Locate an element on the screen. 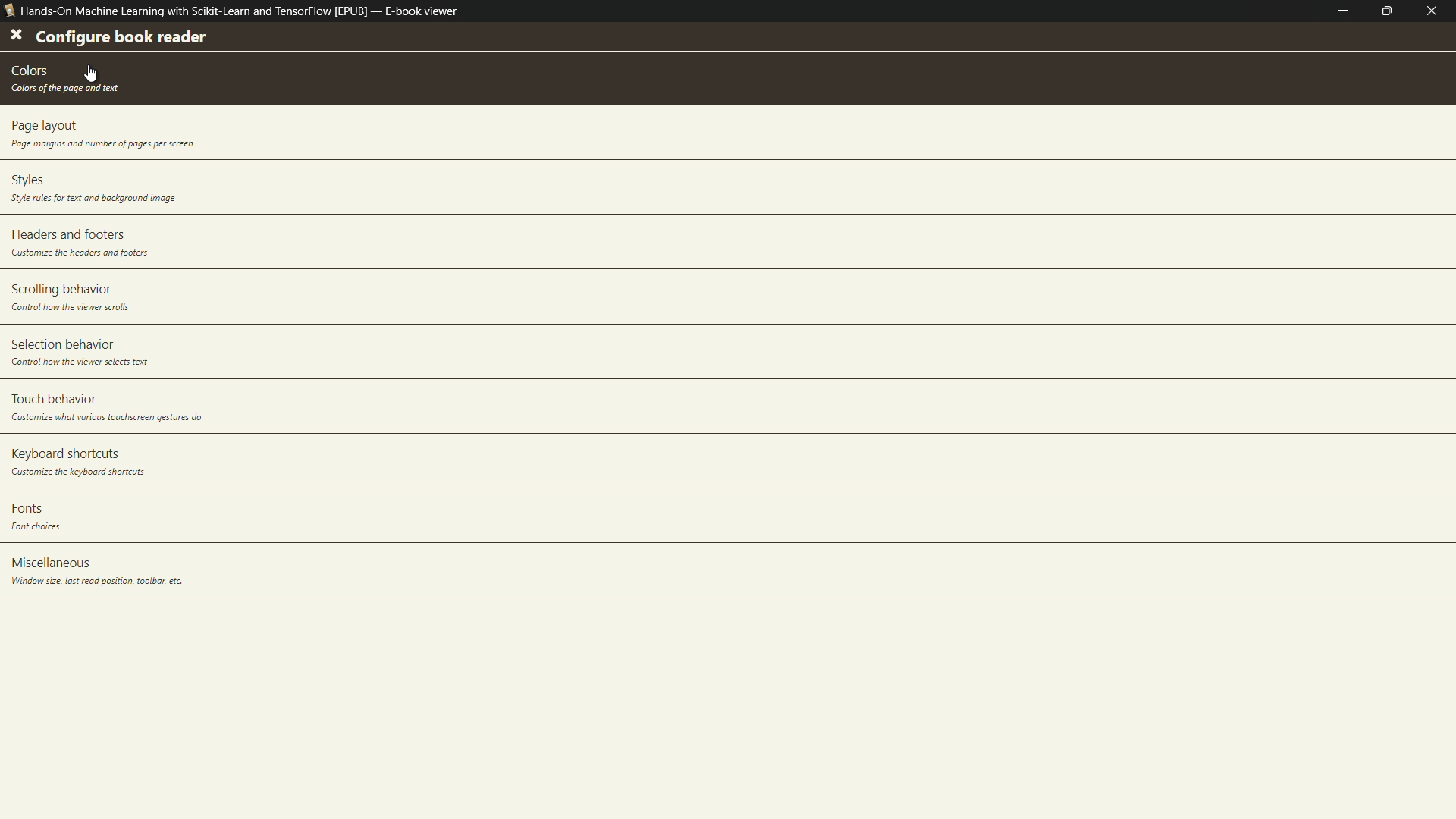 Image resolution: width=1456 pixels, height=819 pixels. page layout is located at coordinates (44, 126).